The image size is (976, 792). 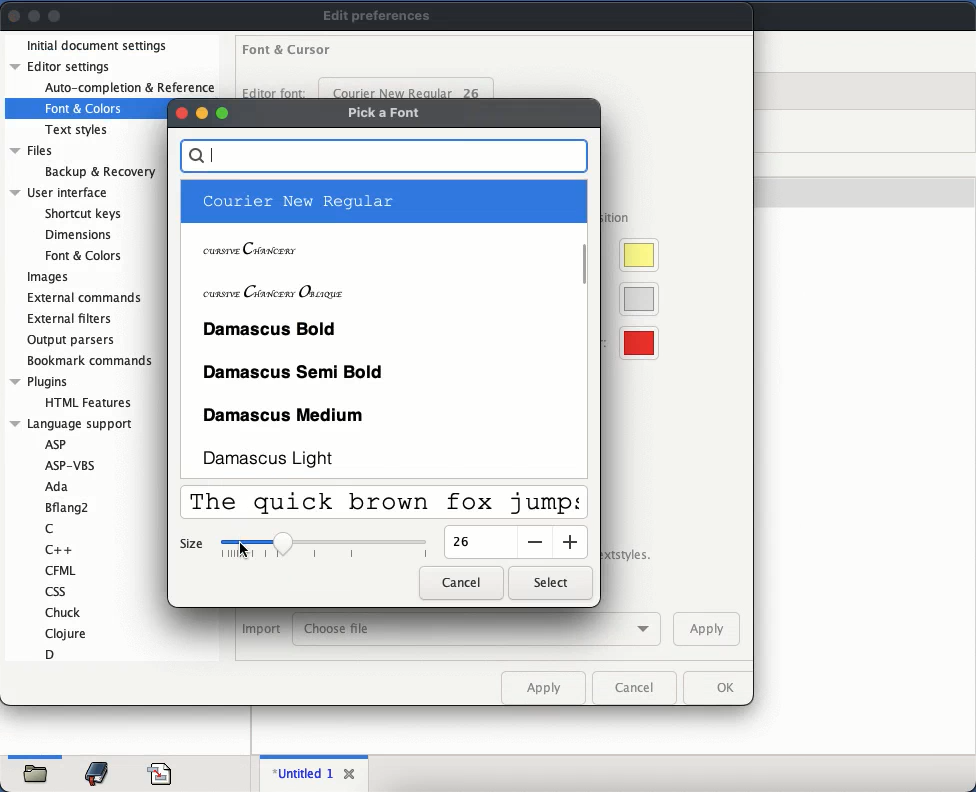 I want to click on courier new regular, so click(x=407, y=88).